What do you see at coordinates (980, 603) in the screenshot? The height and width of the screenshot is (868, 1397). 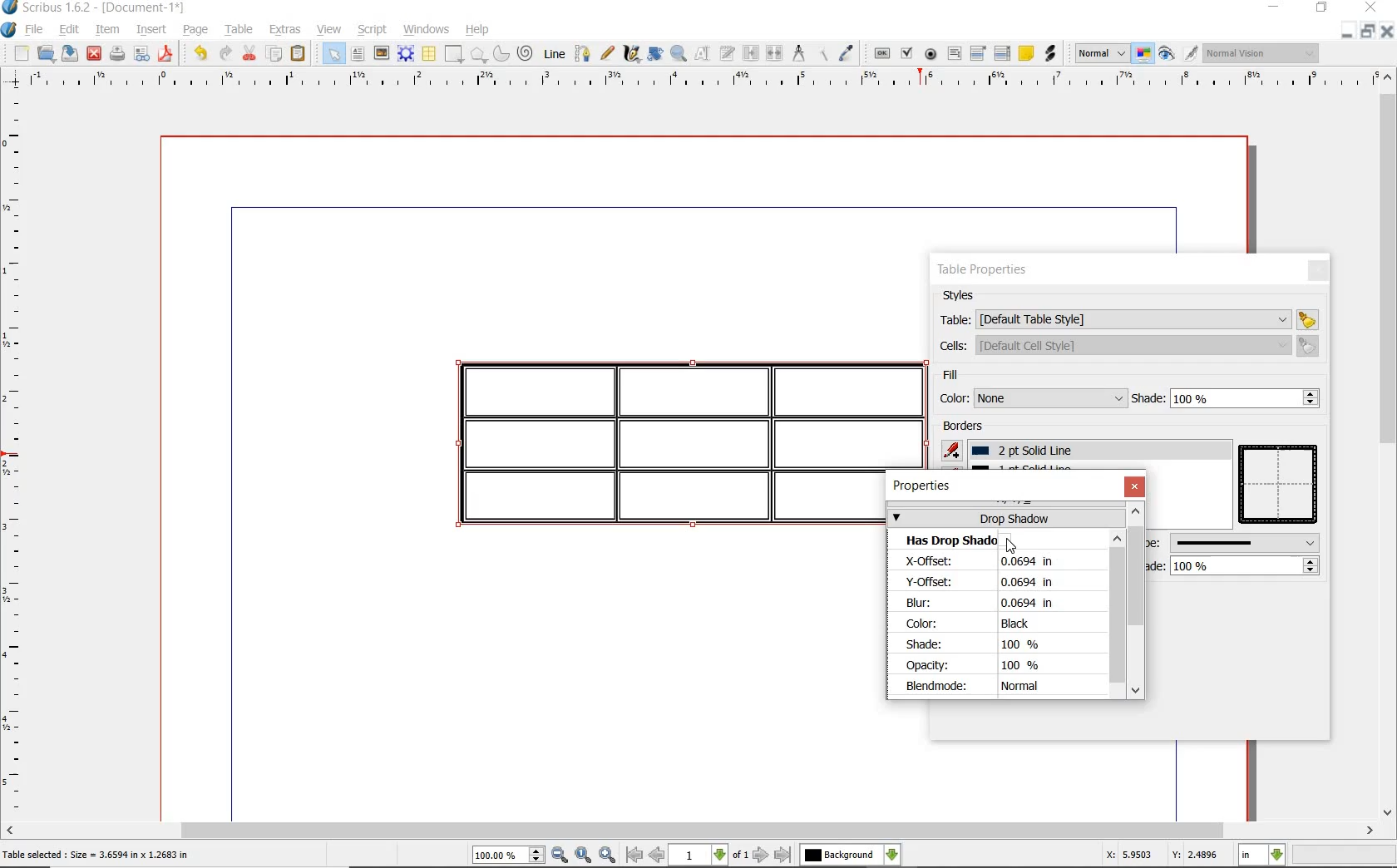 I see `Blur: 0.0694 in` at bounding box center [980, 603].